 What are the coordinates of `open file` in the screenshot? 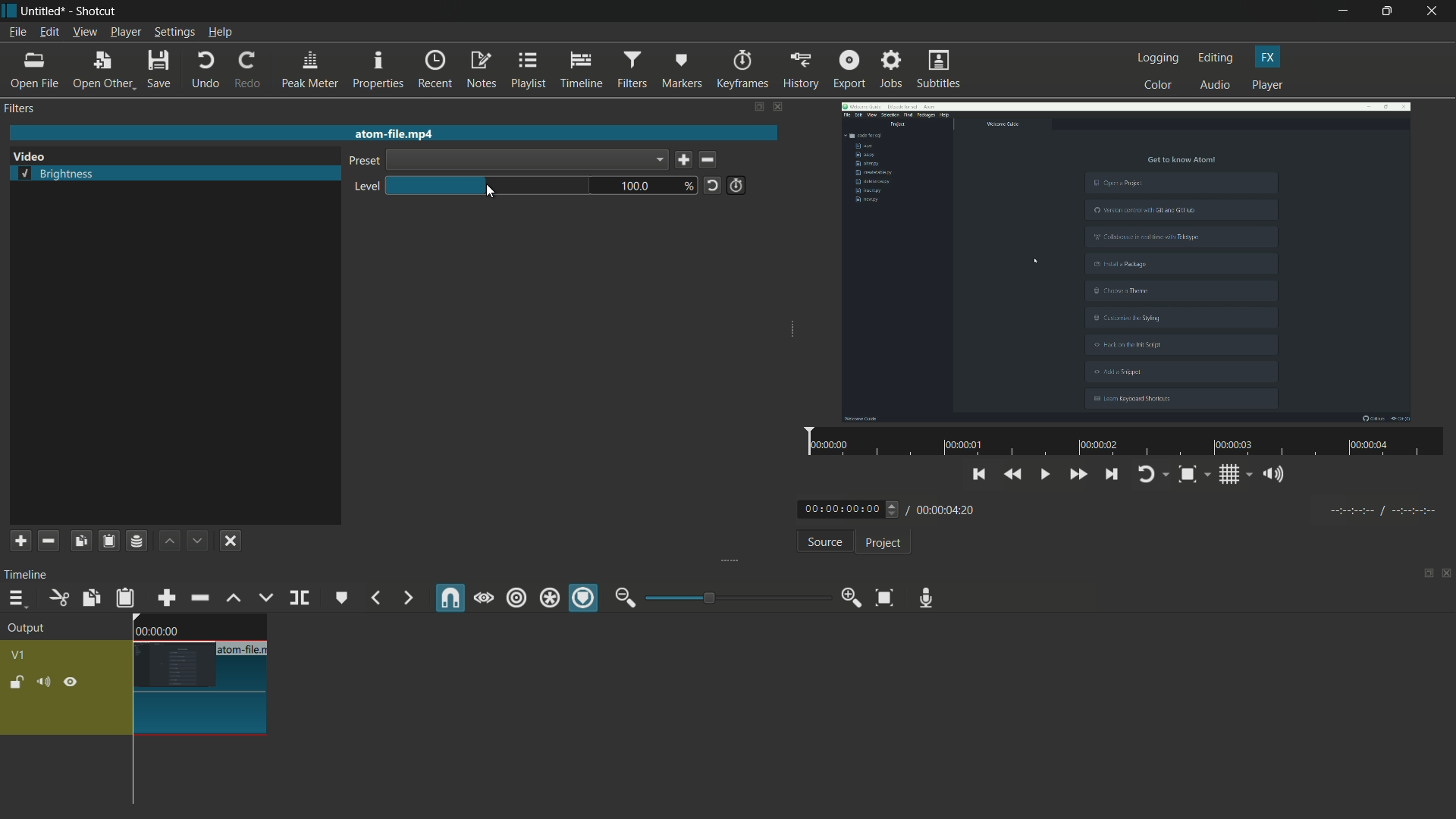 It's located at (36, 71).